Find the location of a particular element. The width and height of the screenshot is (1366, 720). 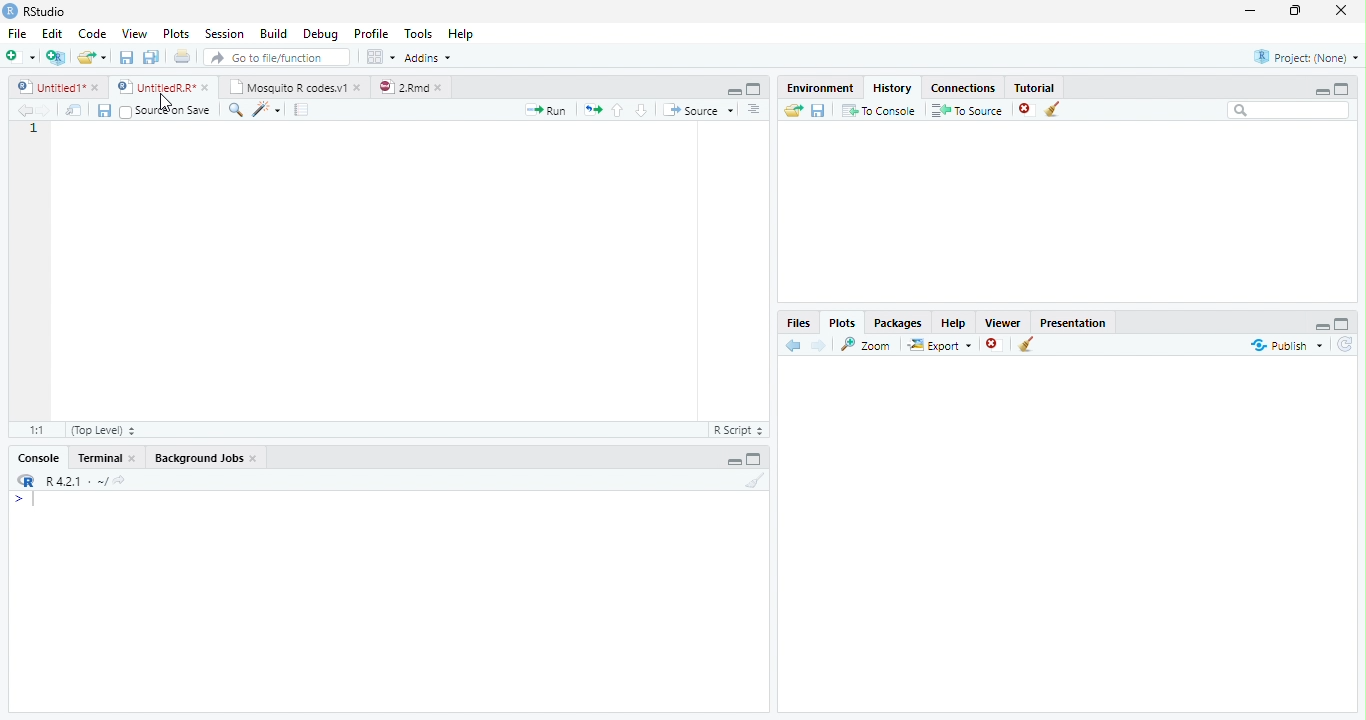

T0 Console is located at coordinates (878, 109).